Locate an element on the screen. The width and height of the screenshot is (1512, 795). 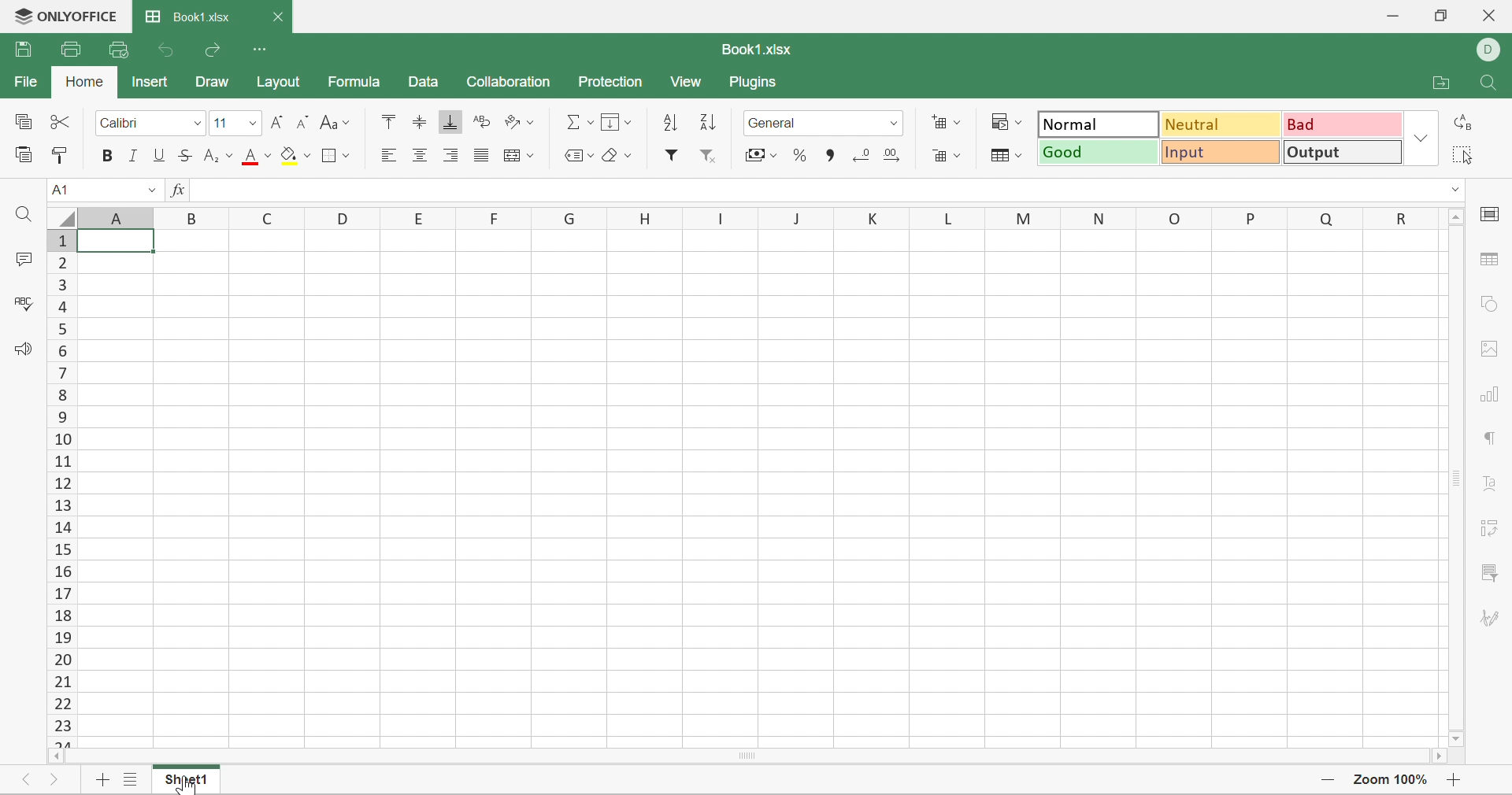
Copy style is located at coordinates (61, 154).